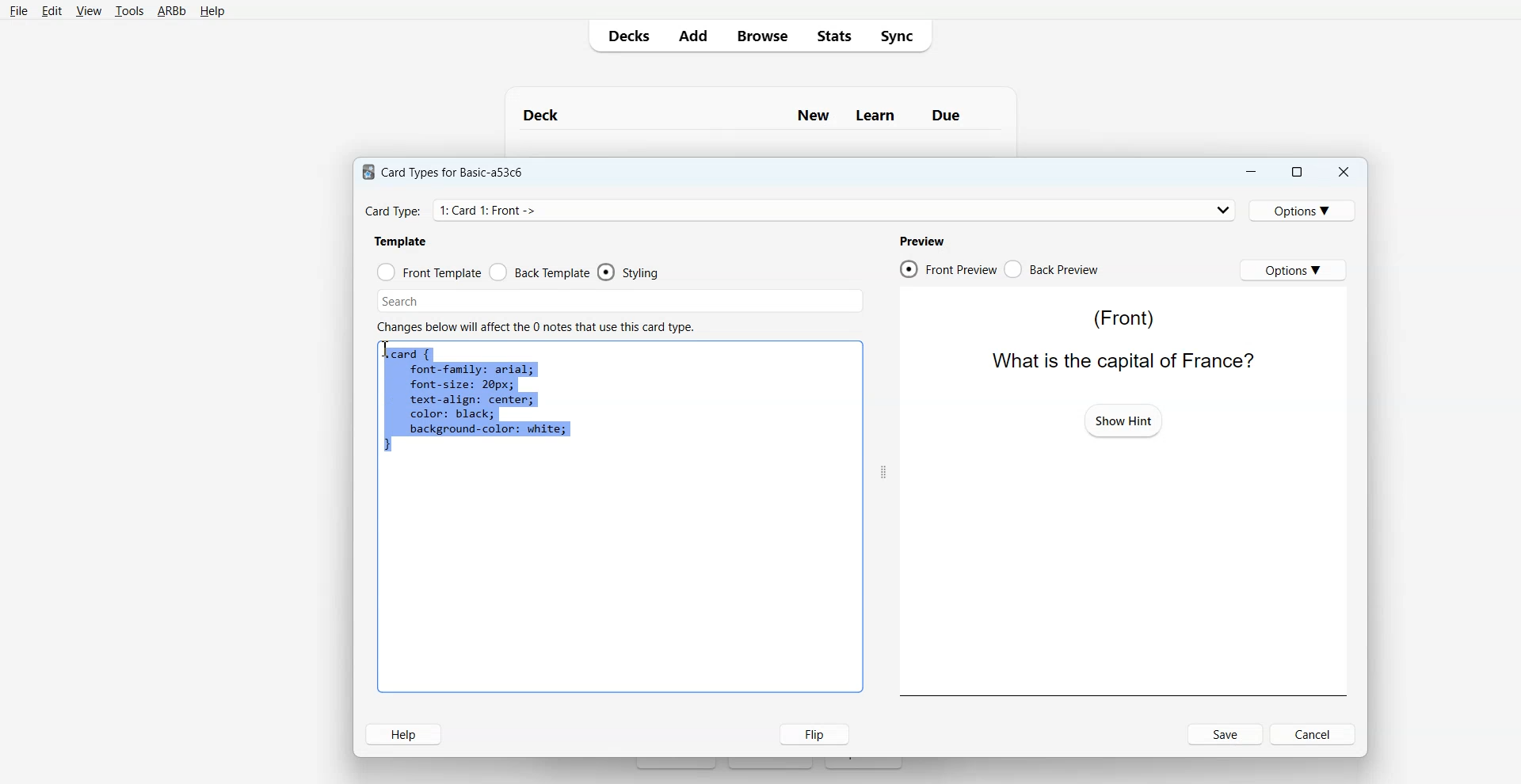 The height and width of the screenshot is (784, 1521). What do you see at coordinates (129, 12) in the screenshot?
I see `Tools` at bounding box center [129, 12].